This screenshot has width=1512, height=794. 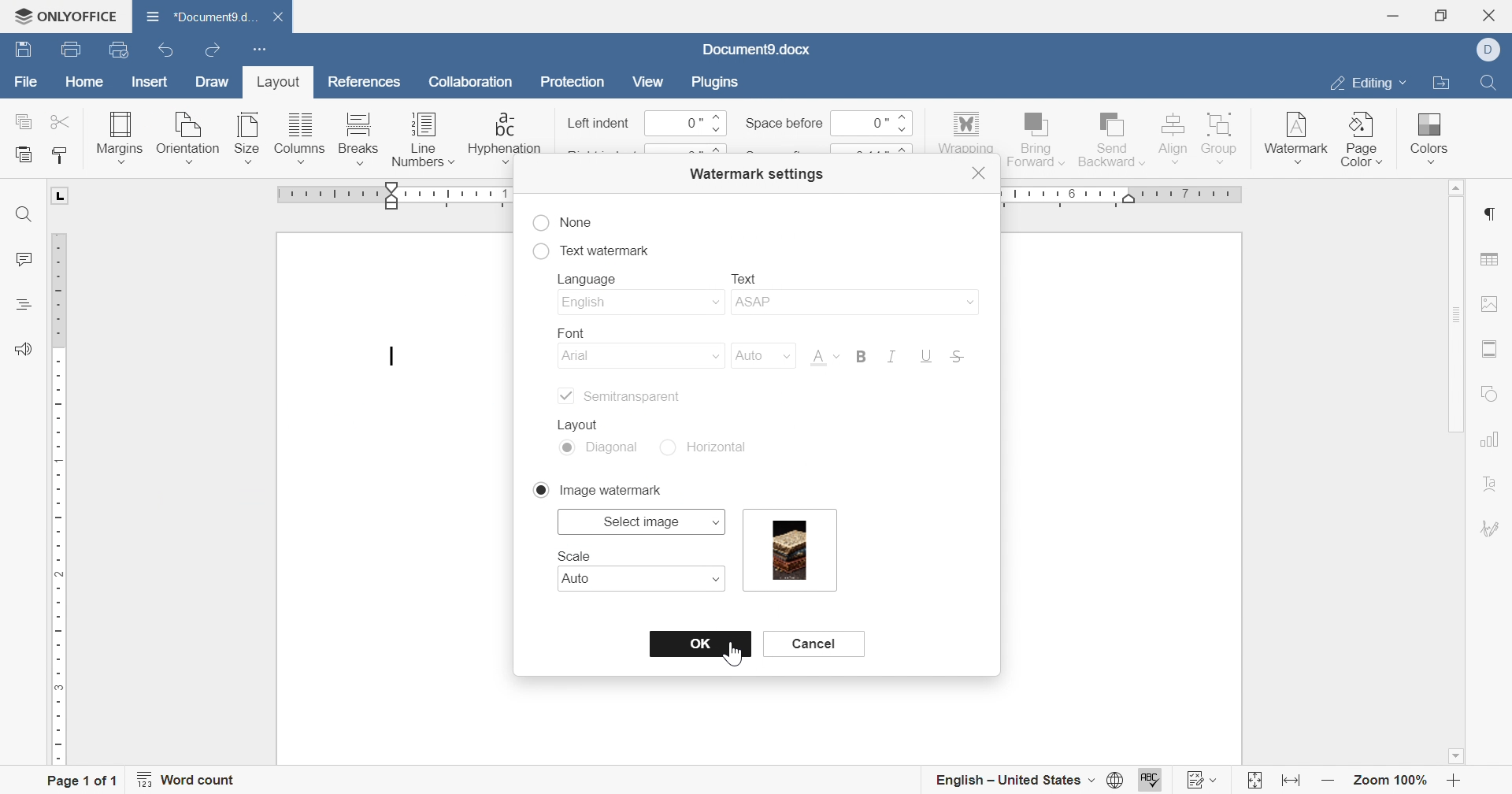 What do you see at coordinates (1446, 15) in the screenshot?
I see `restore down` at bounding box center [1446, 15].